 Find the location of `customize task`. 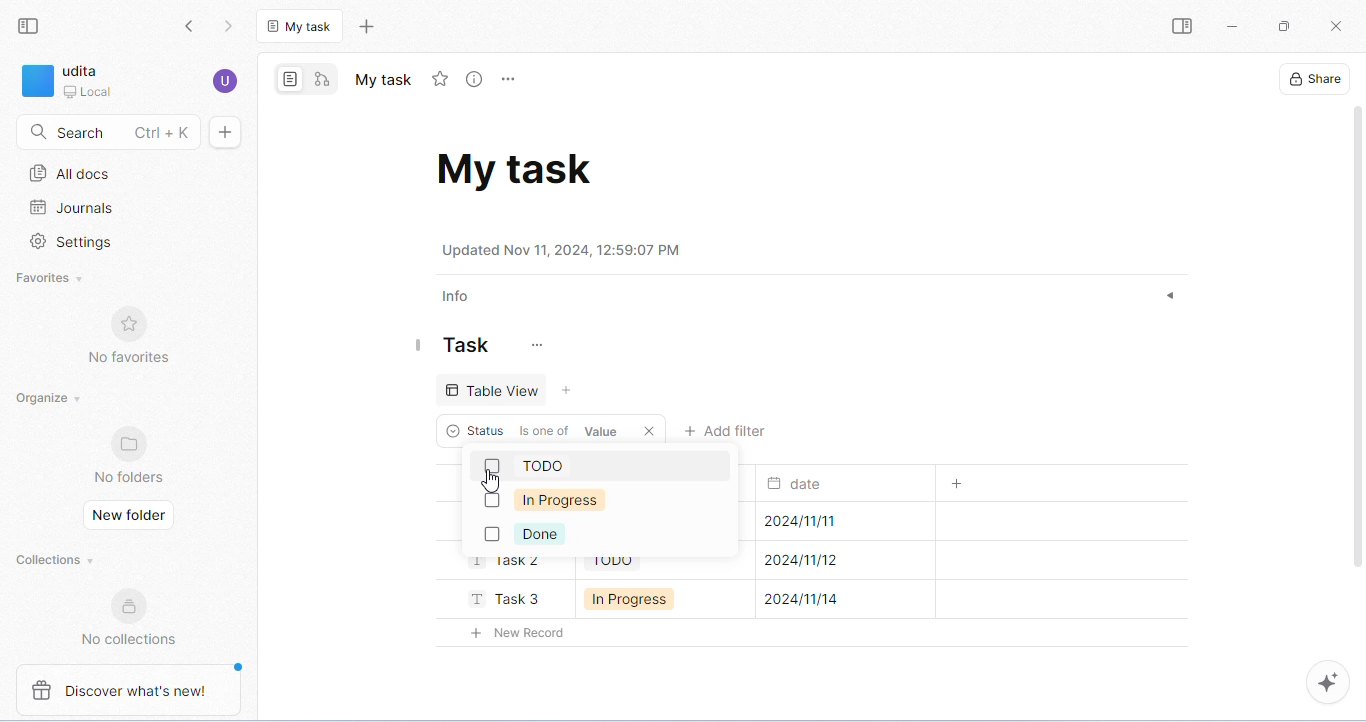

customize task is located at coordinates (534, 346).